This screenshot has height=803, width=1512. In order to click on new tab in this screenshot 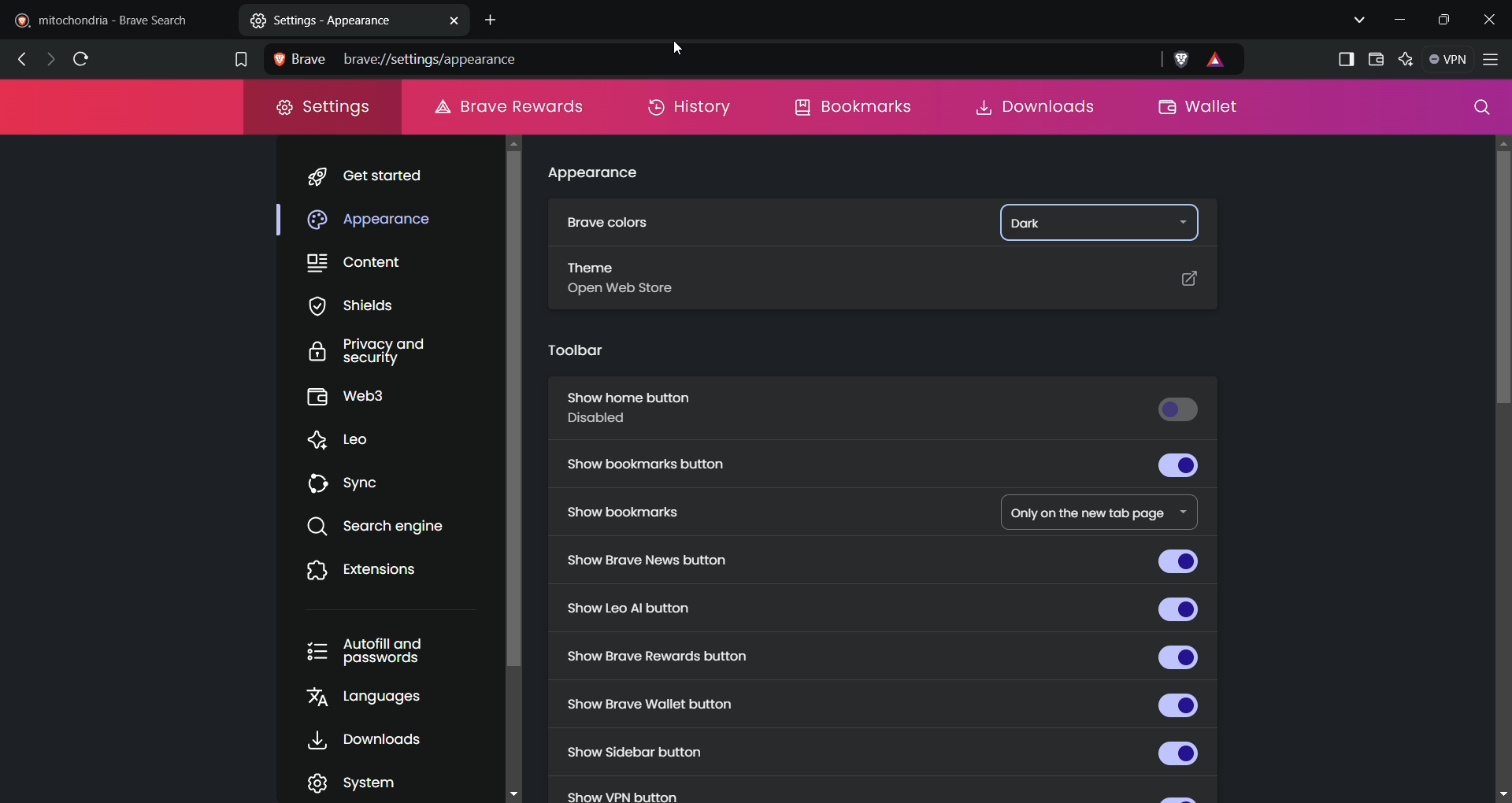, I will do `click(497, 18)`.